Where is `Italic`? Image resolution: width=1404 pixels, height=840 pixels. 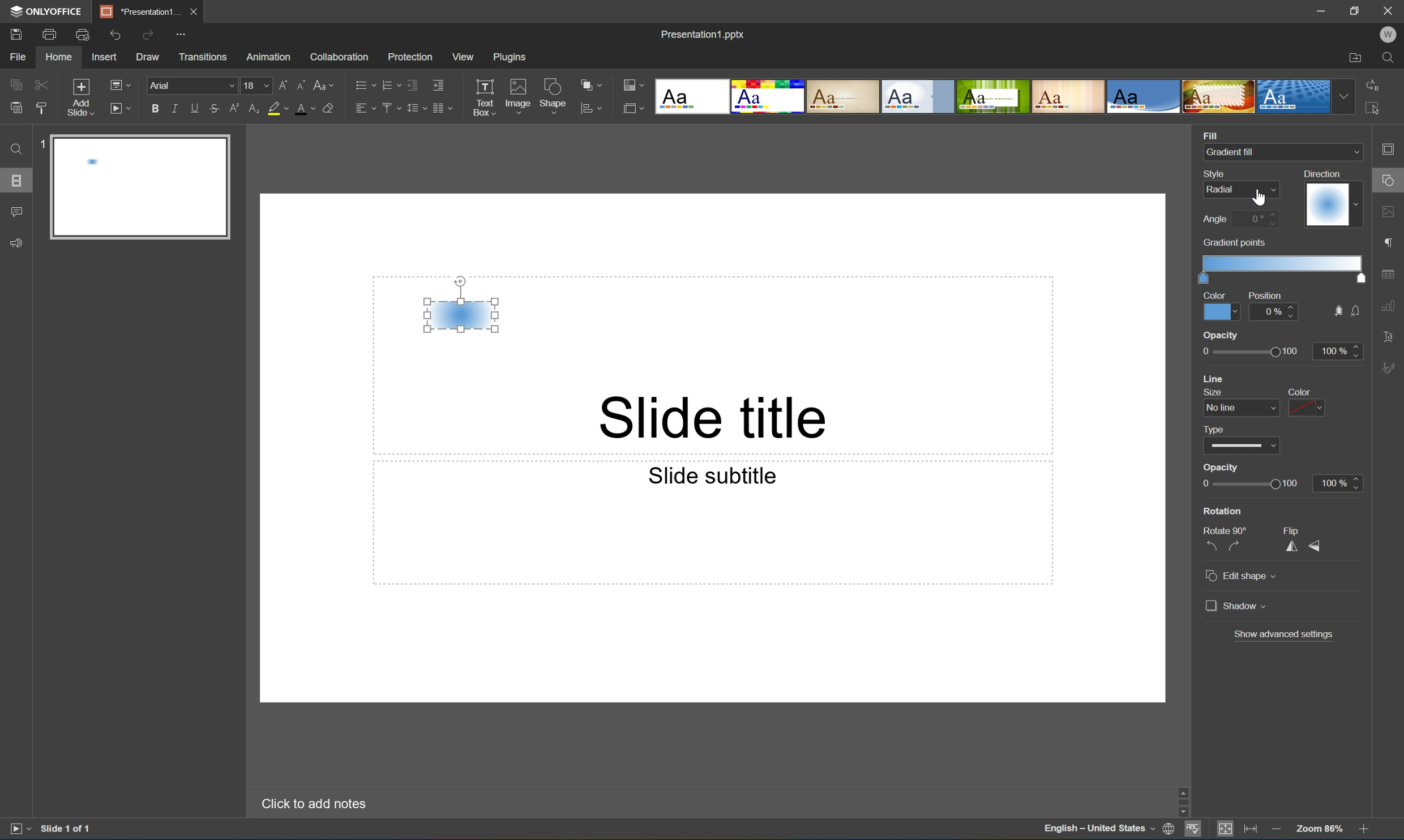
Italic is located at coordinates (174, 109).